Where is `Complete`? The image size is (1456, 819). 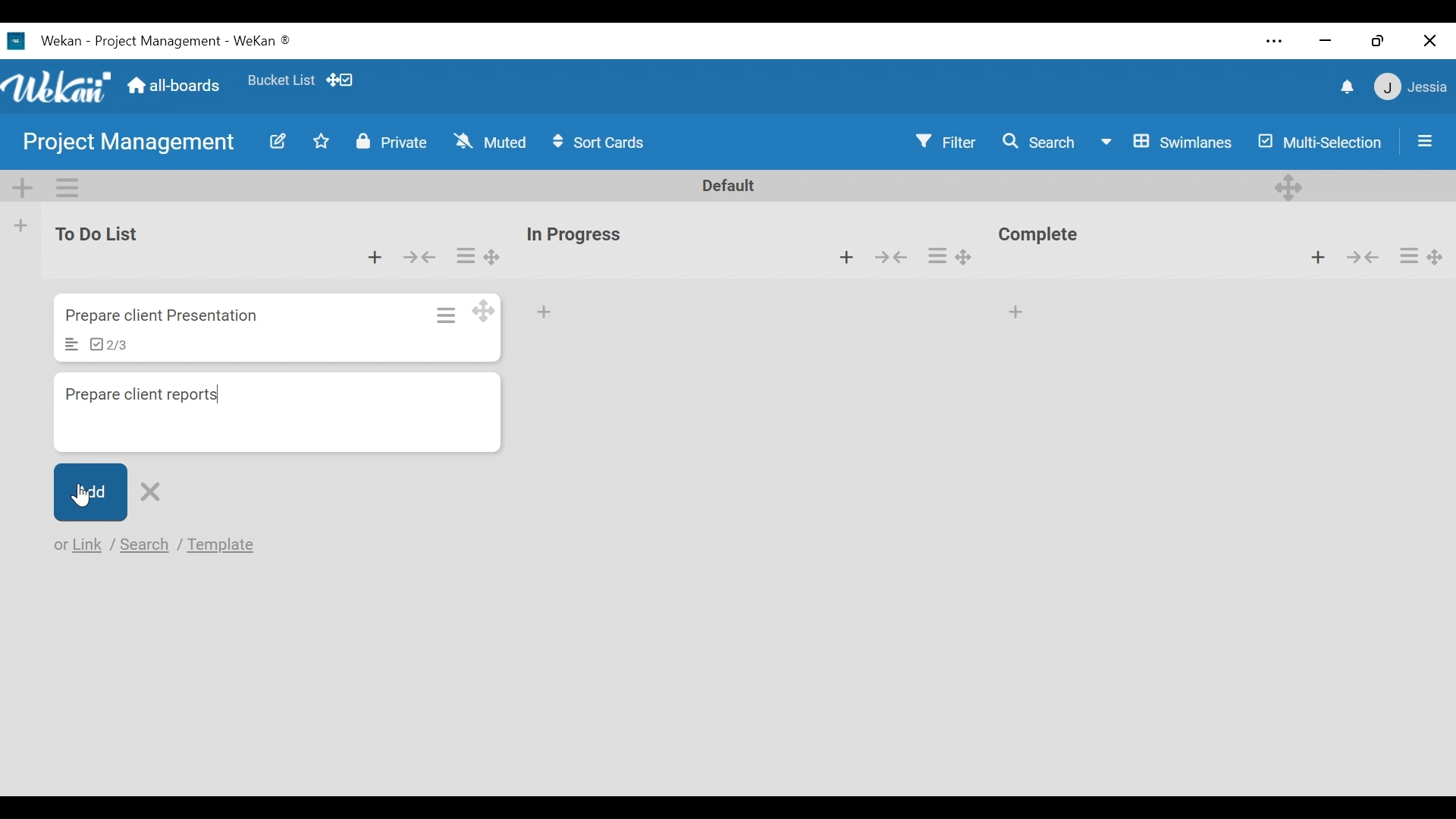
Complete is located at coordinates (1044, 237).